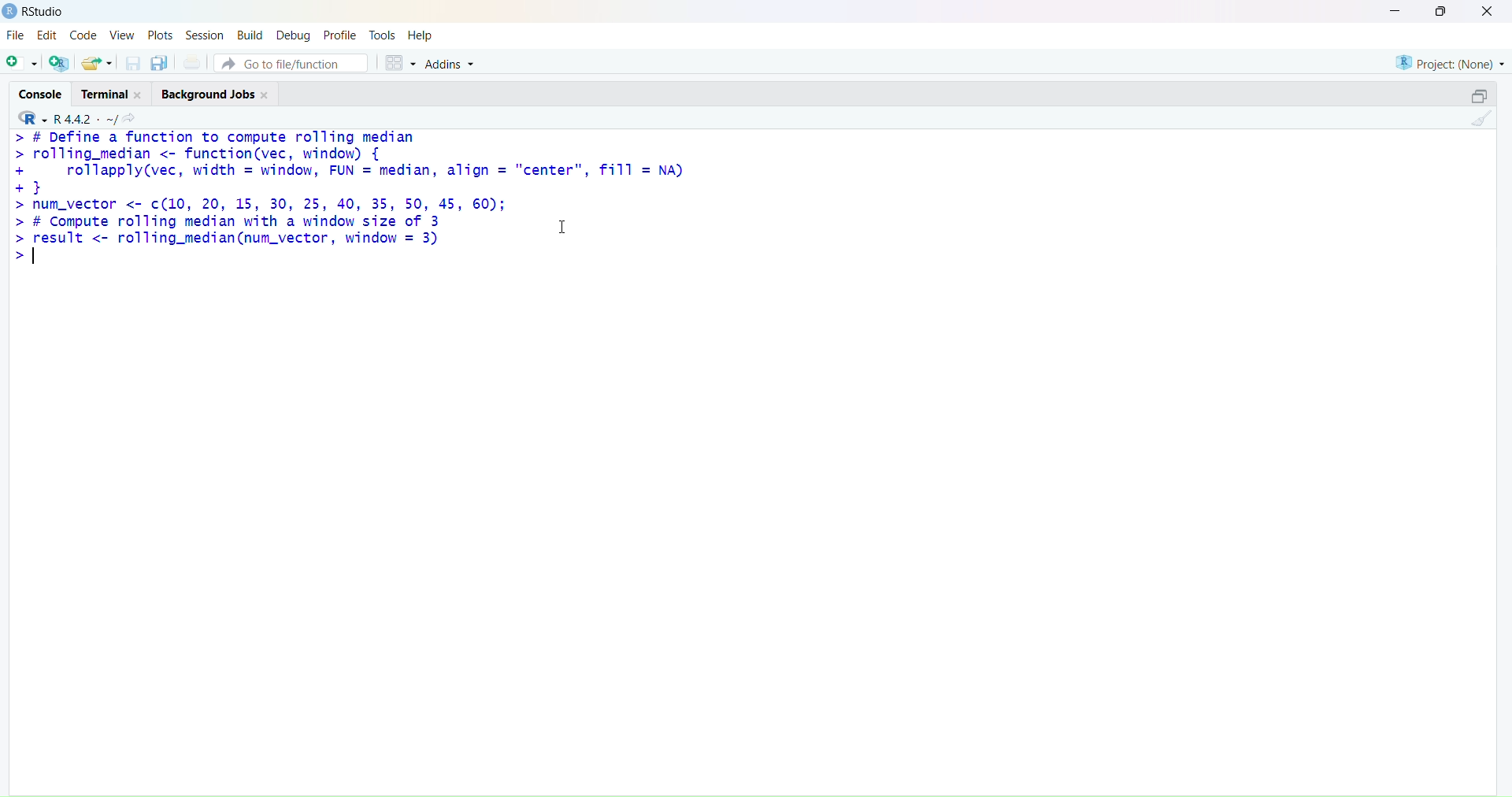 This screenshot has height=797, width=1512. Describe the element at coordinates (104, 95) in the screenshot. I see `terminal` at that location.